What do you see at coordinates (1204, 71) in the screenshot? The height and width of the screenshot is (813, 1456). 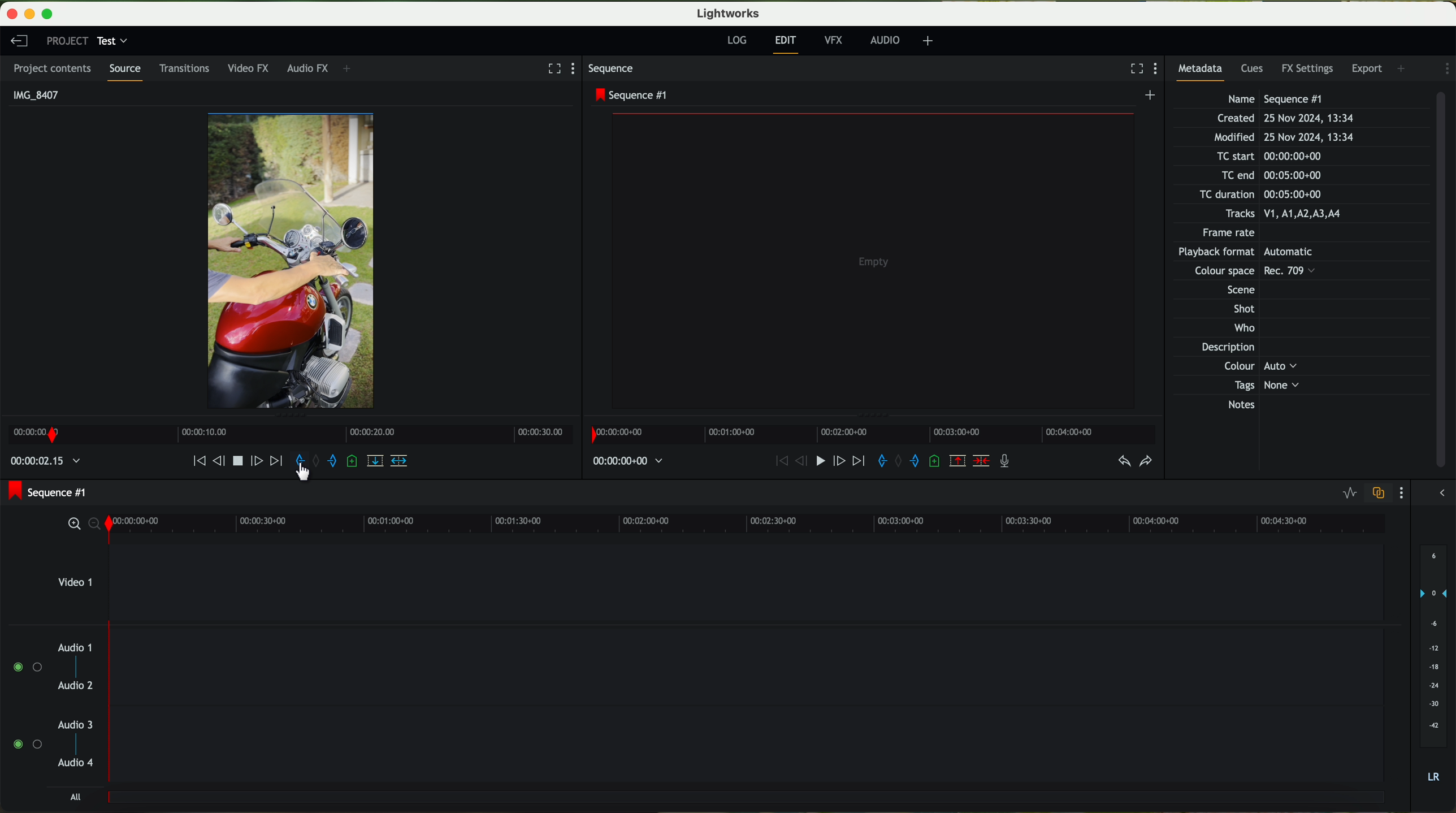 I see `metadata` at bounding box center [1204, 71].